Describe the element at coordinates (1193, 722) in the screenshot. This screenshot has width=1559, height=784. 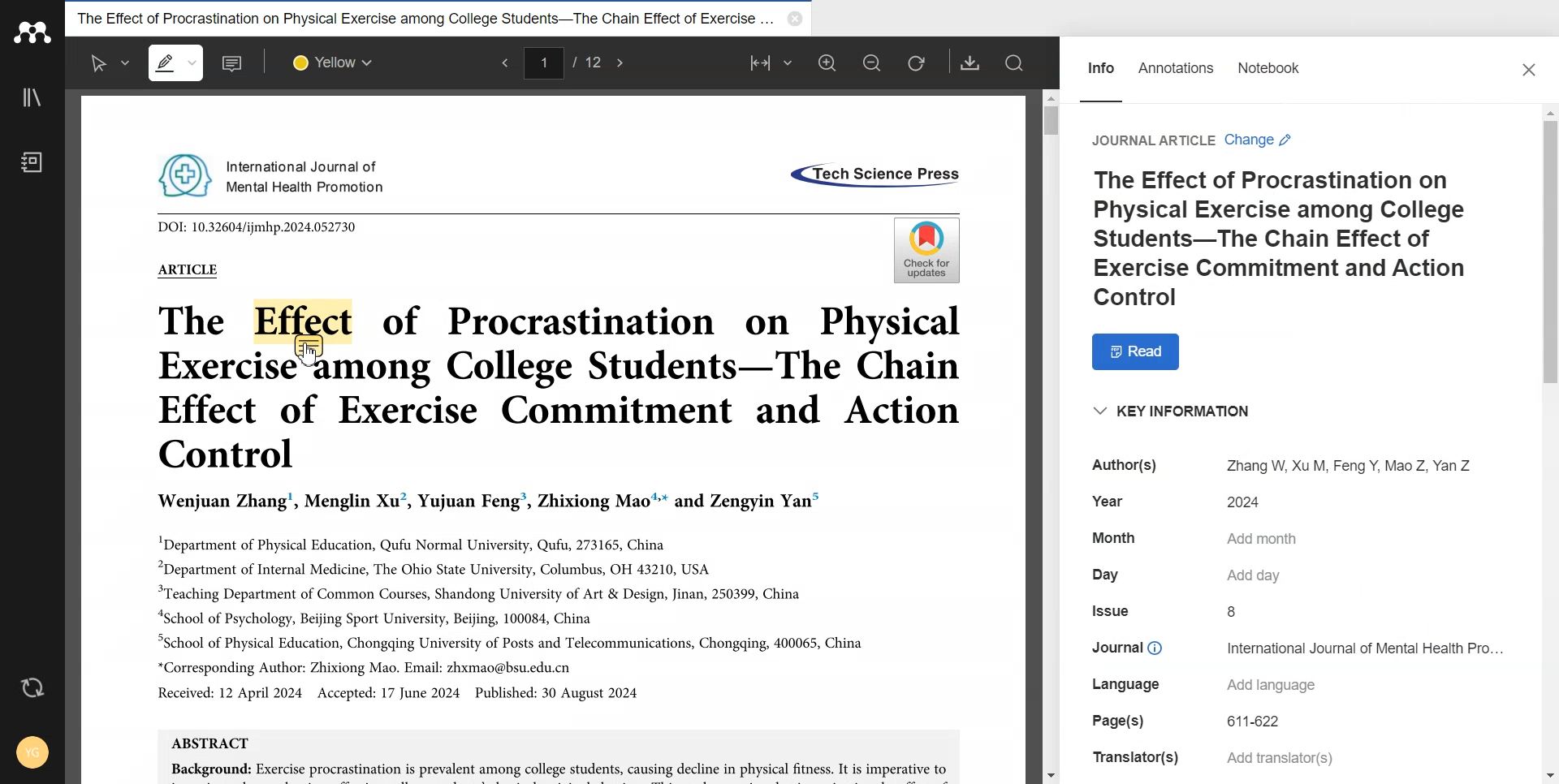
I see `Page(s) 611-622` at that location.